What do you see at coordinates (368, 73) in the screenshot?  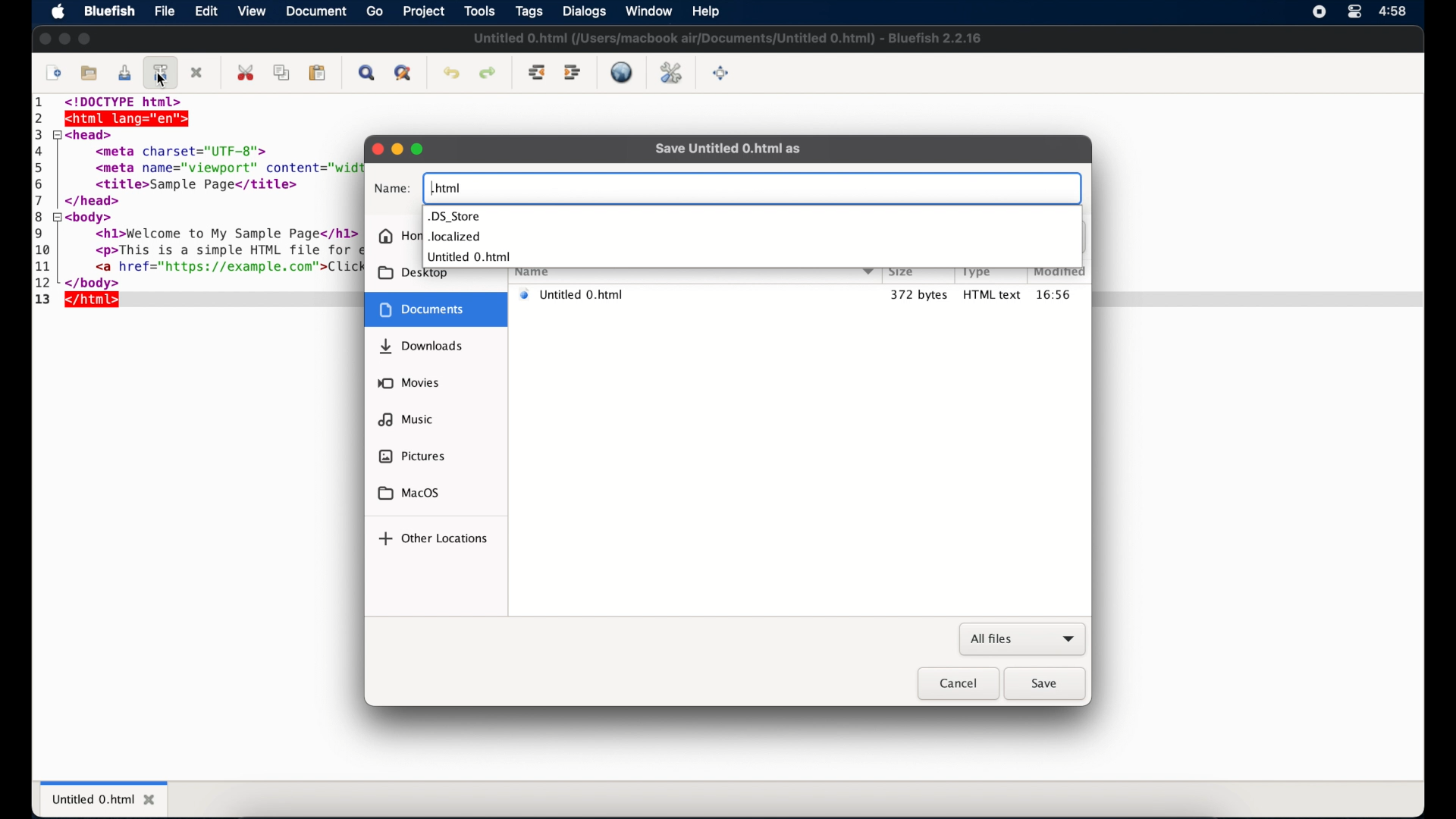 I see `show find bar` at bounding box center [368, 73].